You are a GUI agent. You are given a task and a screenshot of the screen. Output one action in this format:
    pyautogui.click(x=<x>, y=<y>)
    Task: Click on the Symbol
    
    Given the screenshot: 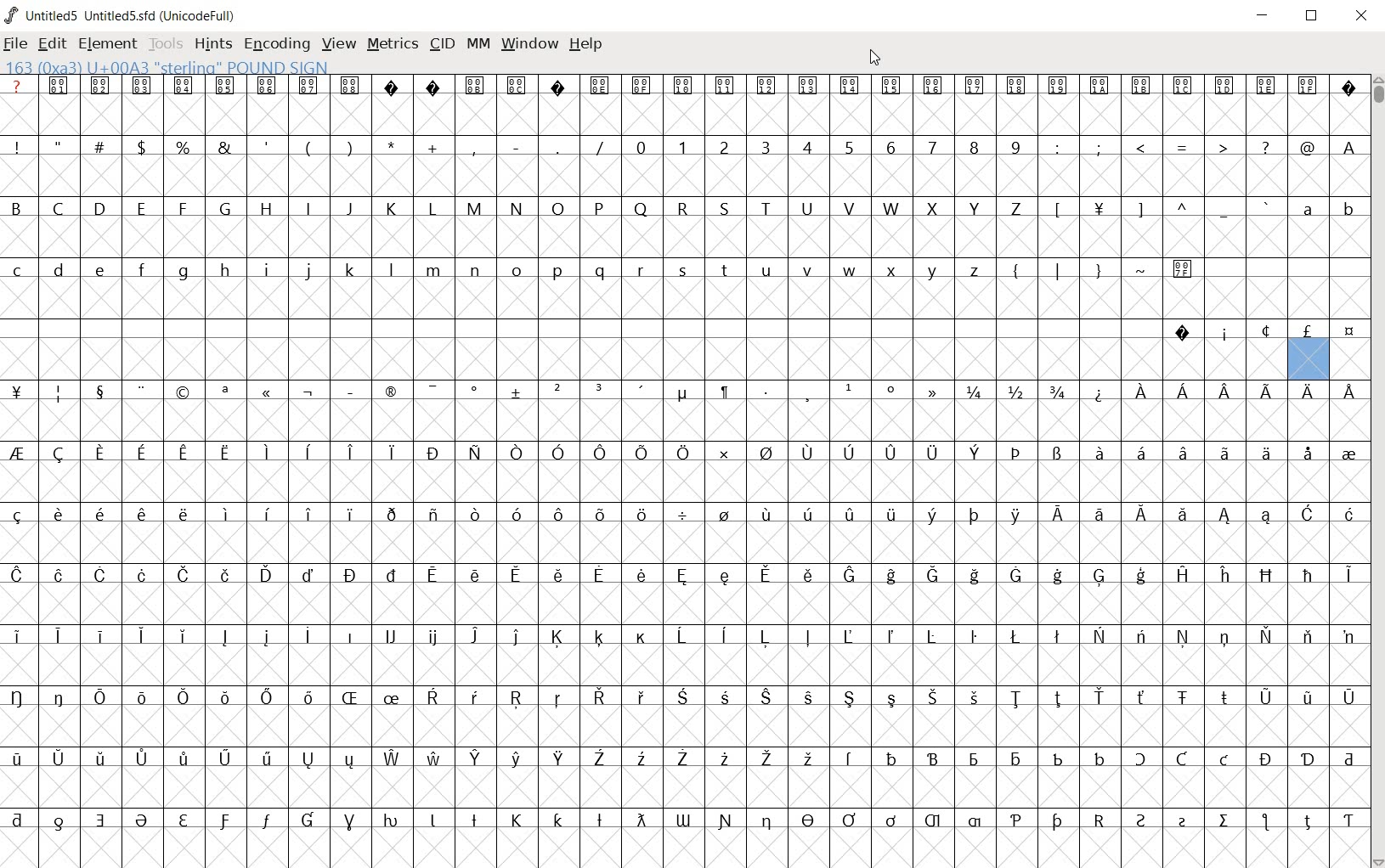 What is the action you would take?
    pyautogui.click(x=393, y=573)
    